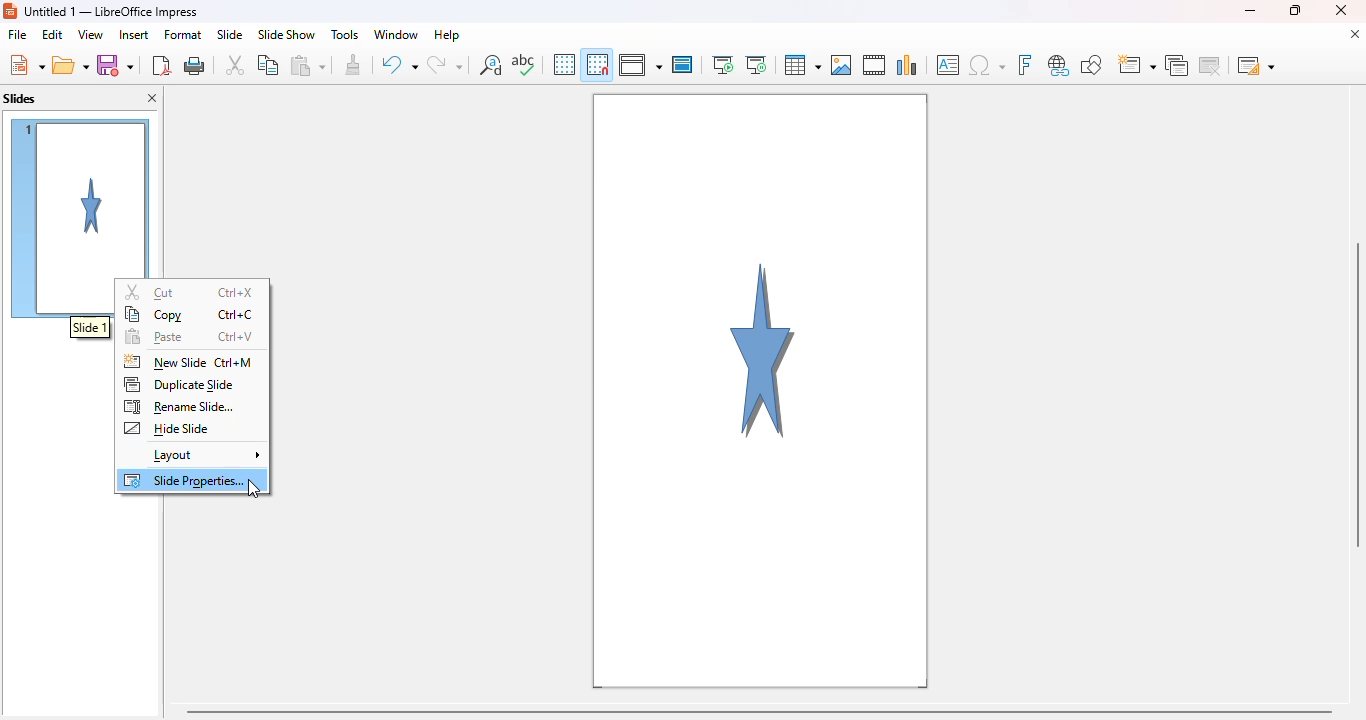 Image resolution: width=1366 pixels, height=720 pixels. I want to click on insert fontwork text, so click(1025, 64).